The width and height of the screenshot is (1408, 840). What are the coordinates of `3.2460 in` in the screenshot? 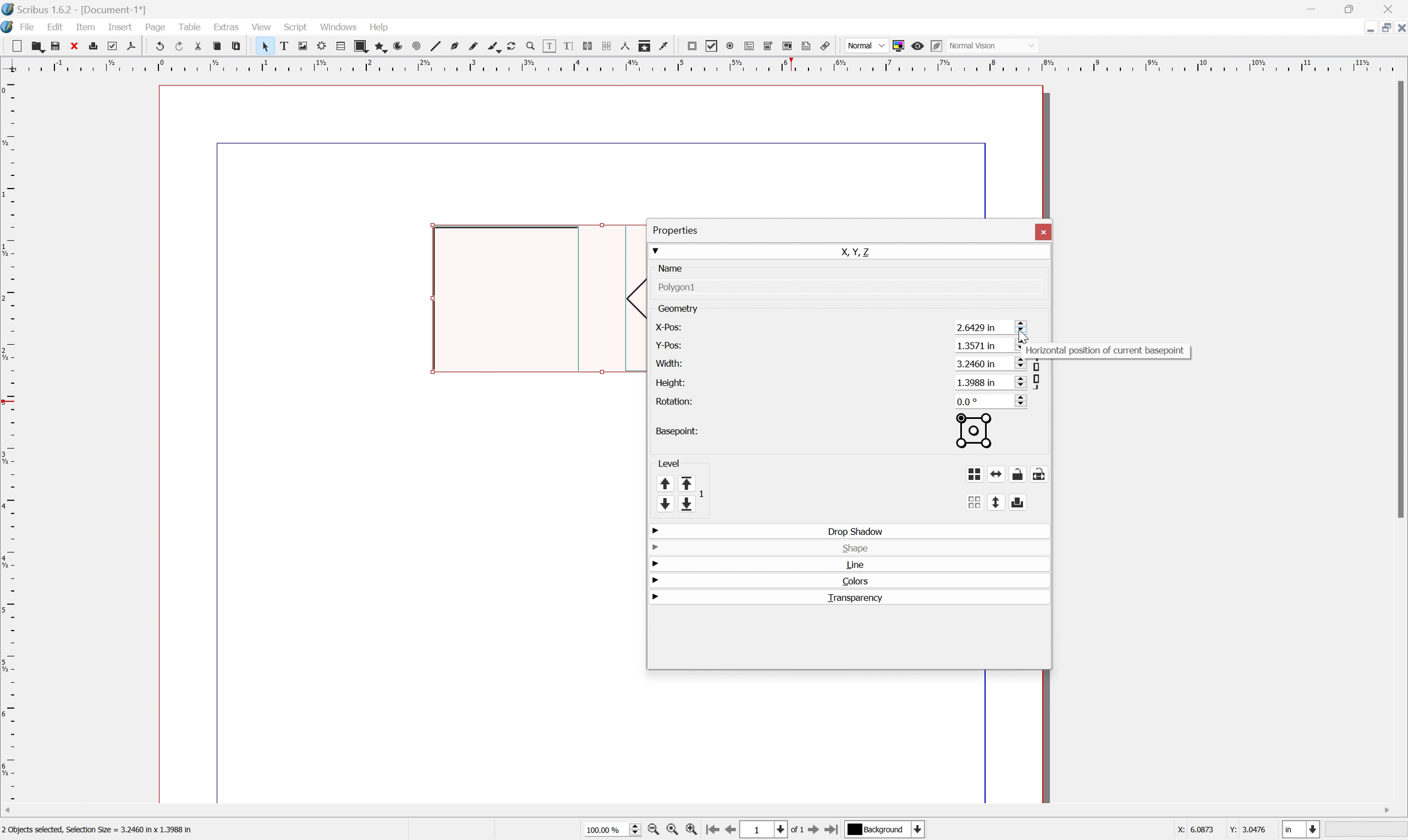 It's located at (987, 363).